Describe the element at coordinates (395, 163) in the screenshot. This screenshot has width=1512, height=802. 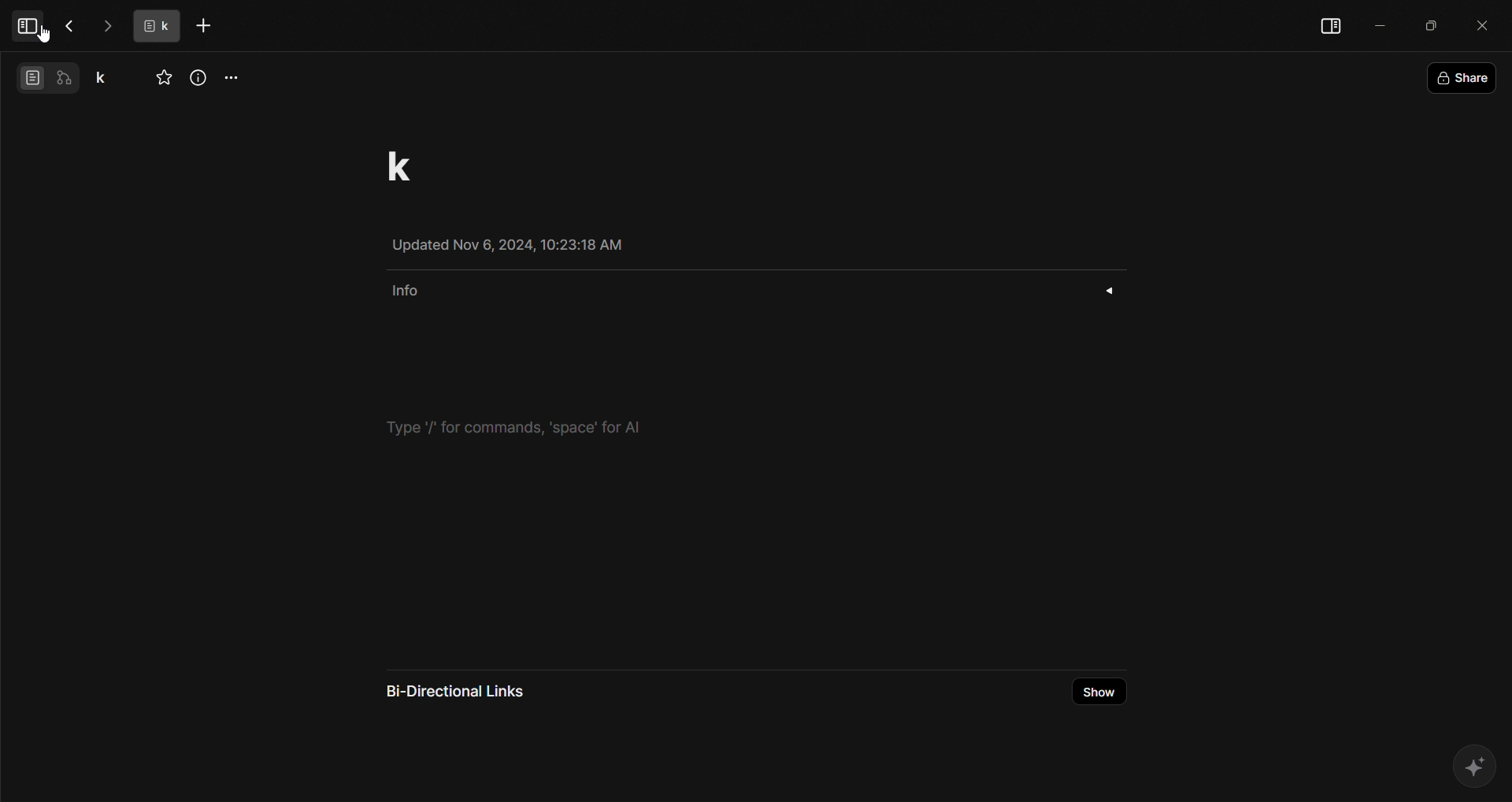
I see `project title` at that location.